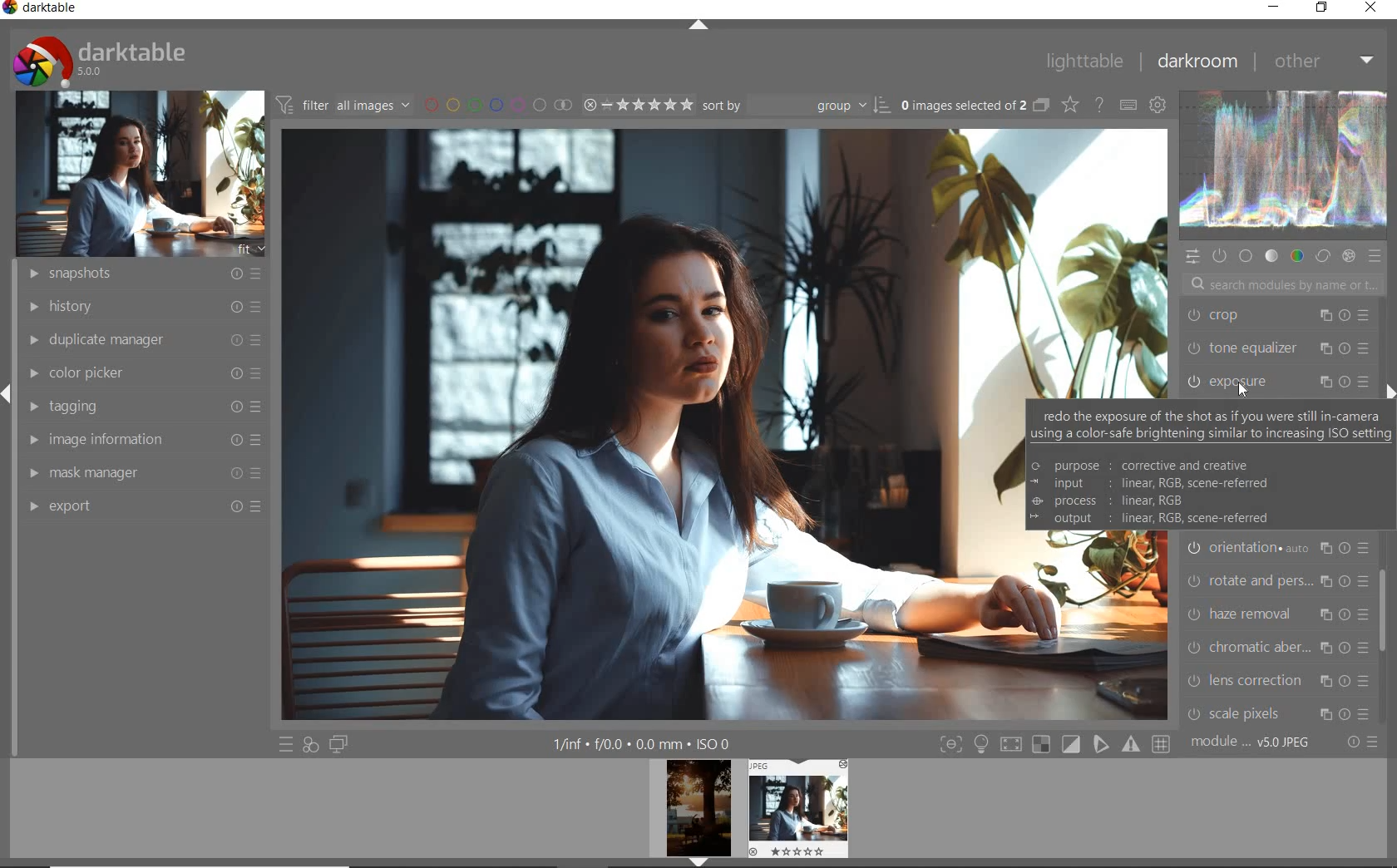  I want to click on ENABLE FOR ONLINE HELP, so click(1099, 105).